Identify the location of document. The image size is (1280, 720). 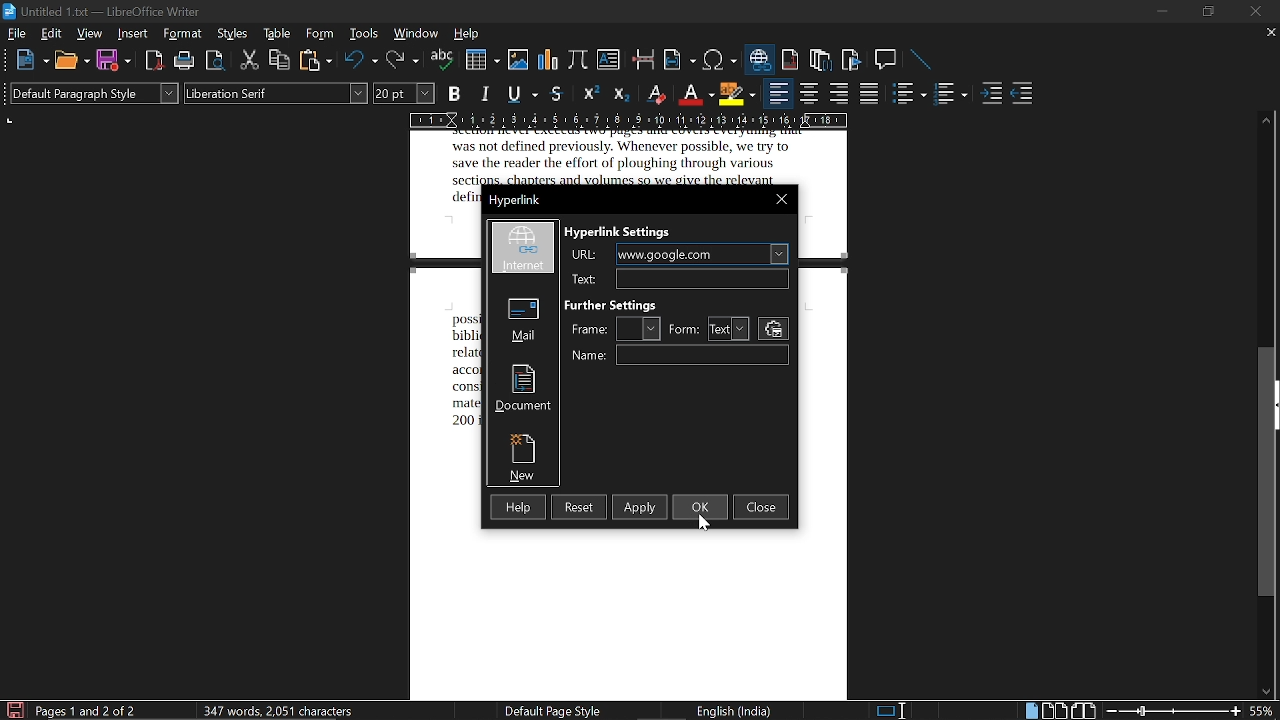
(521, 390).